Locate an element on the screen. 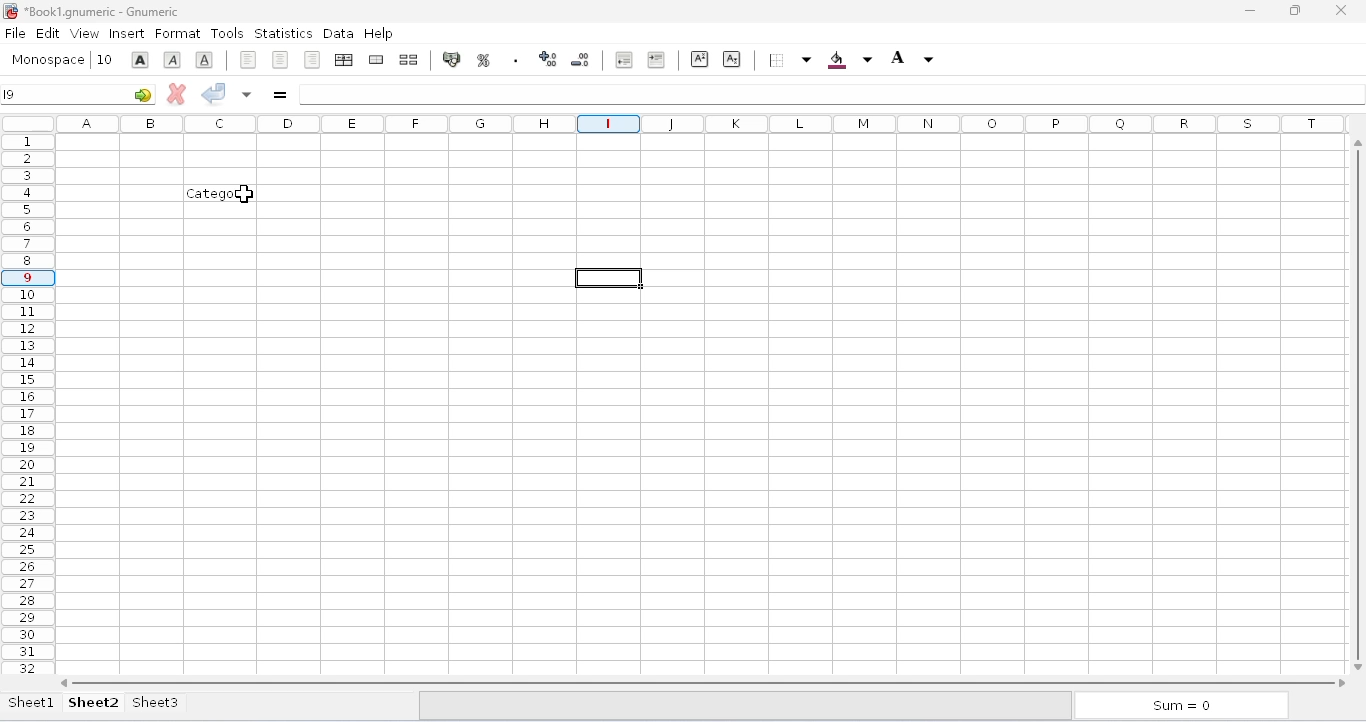 The image size is (1366, 722). foreground is located at coordinates (912, 58).